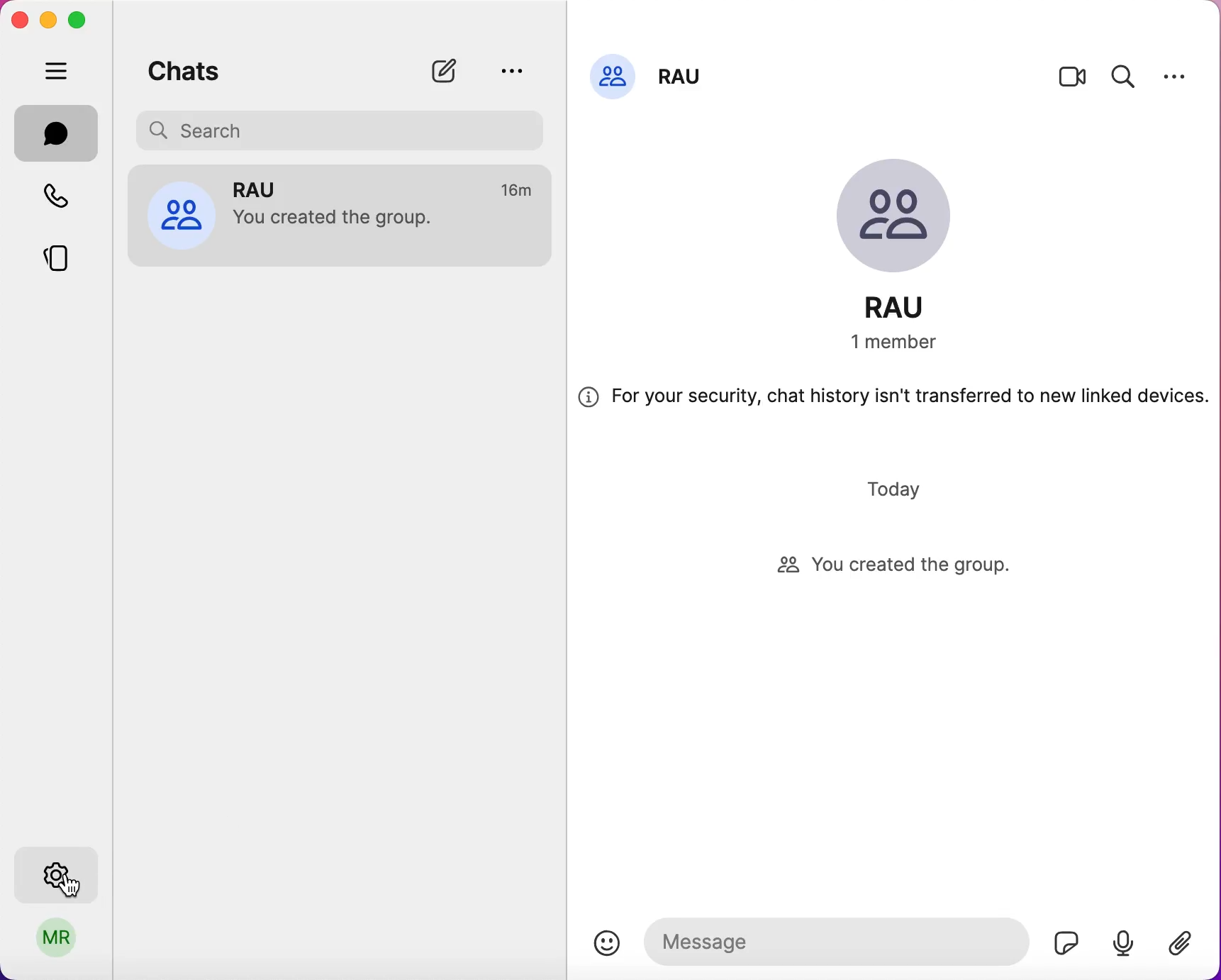 The width and height of the screenshot is (1221, 980). What do you see at coordinates (67, 253) in the screenshot?
I see `stories` at bounding box center [67, 253].